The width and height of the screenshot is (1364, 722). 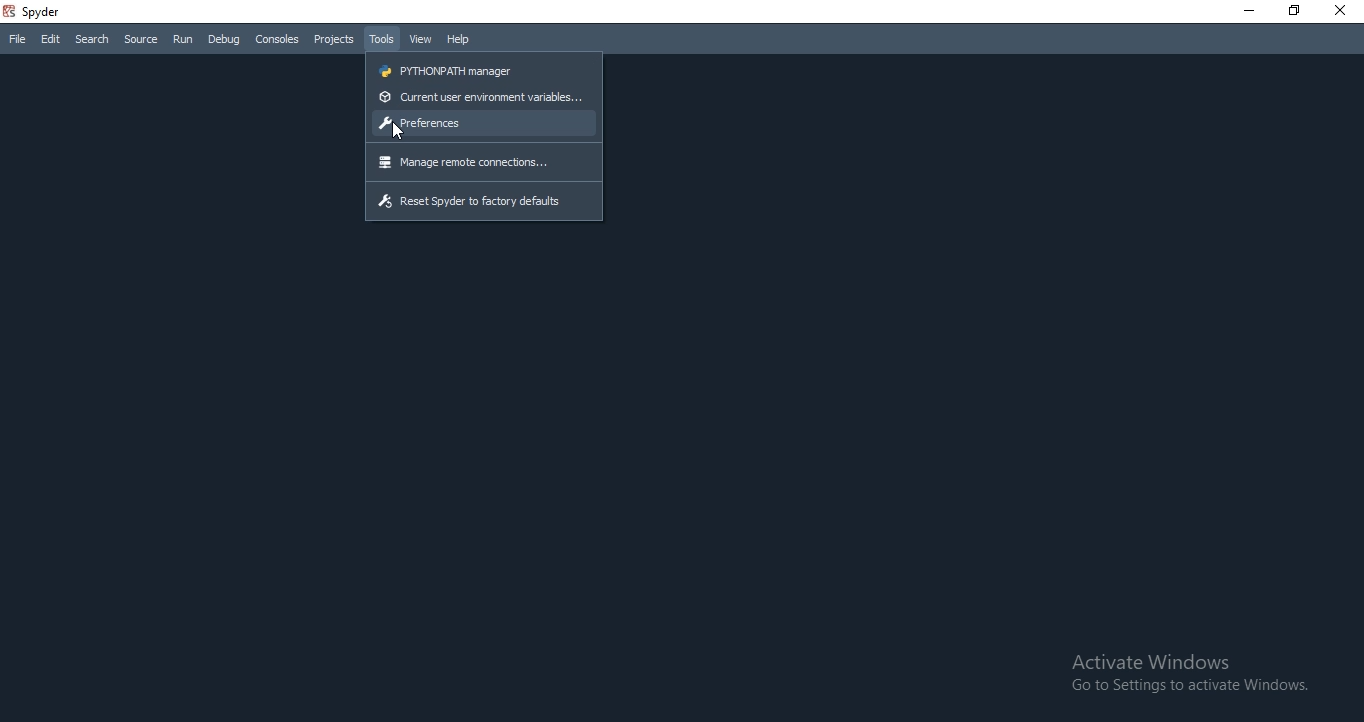 What do you see at coordinates (1244, 11) in the screenshot?
I see `Minimise` at bounding box center [1244, 11].